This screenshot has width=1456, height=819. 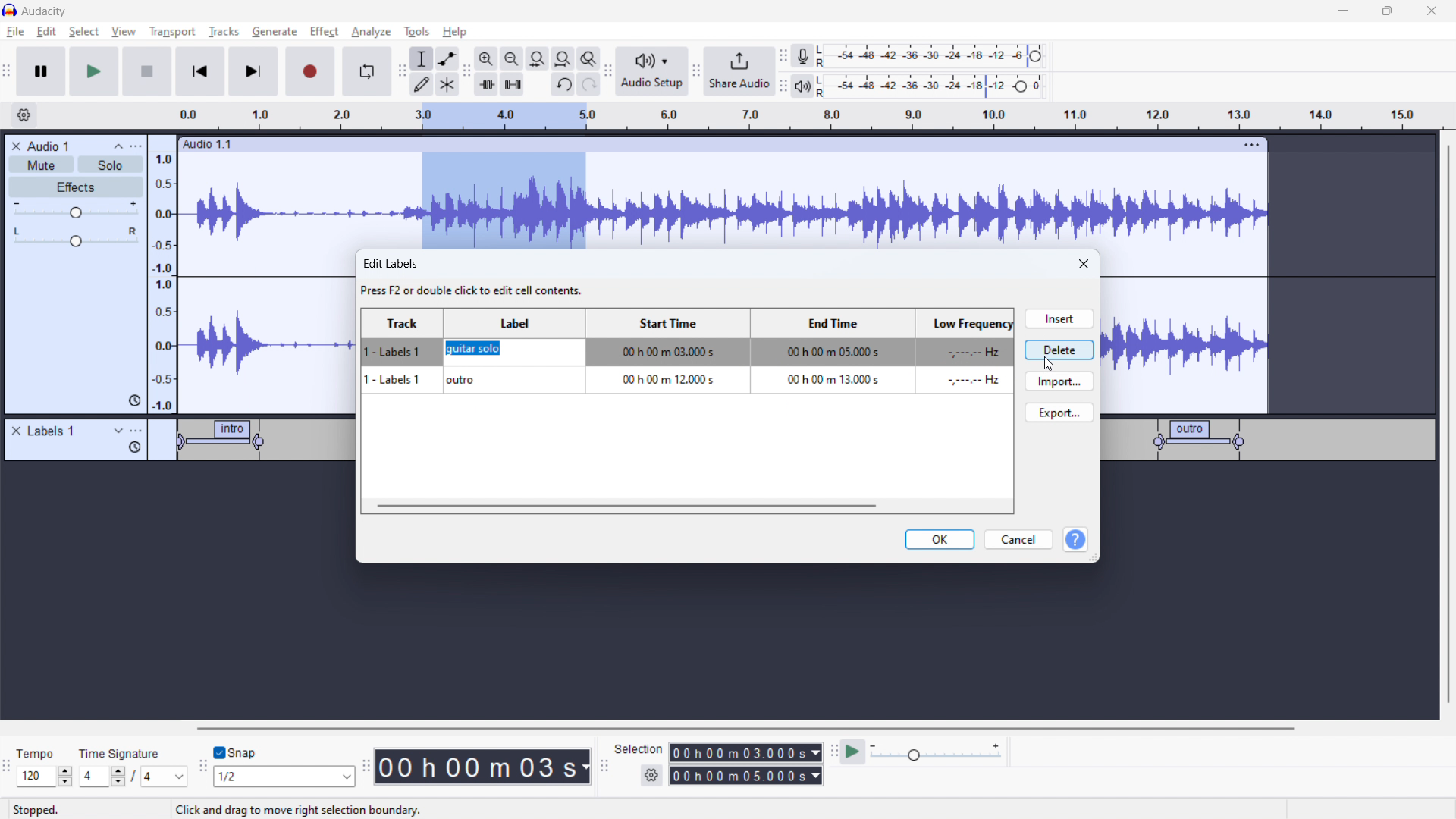 What do you see at coordinates (1432, 11) in the screenshot?
I see `close` at bounding box center [1432, 11].